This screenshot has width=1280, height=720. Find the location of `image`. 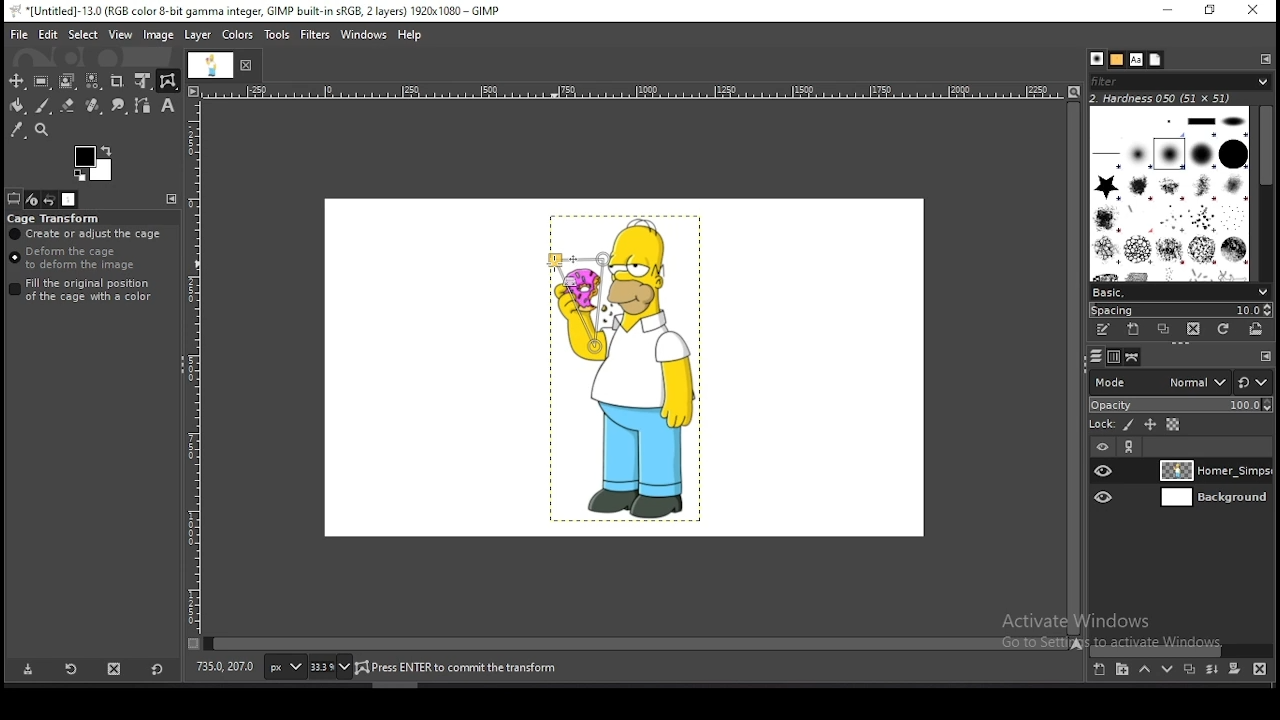

image is located at coordinates (160, 37).